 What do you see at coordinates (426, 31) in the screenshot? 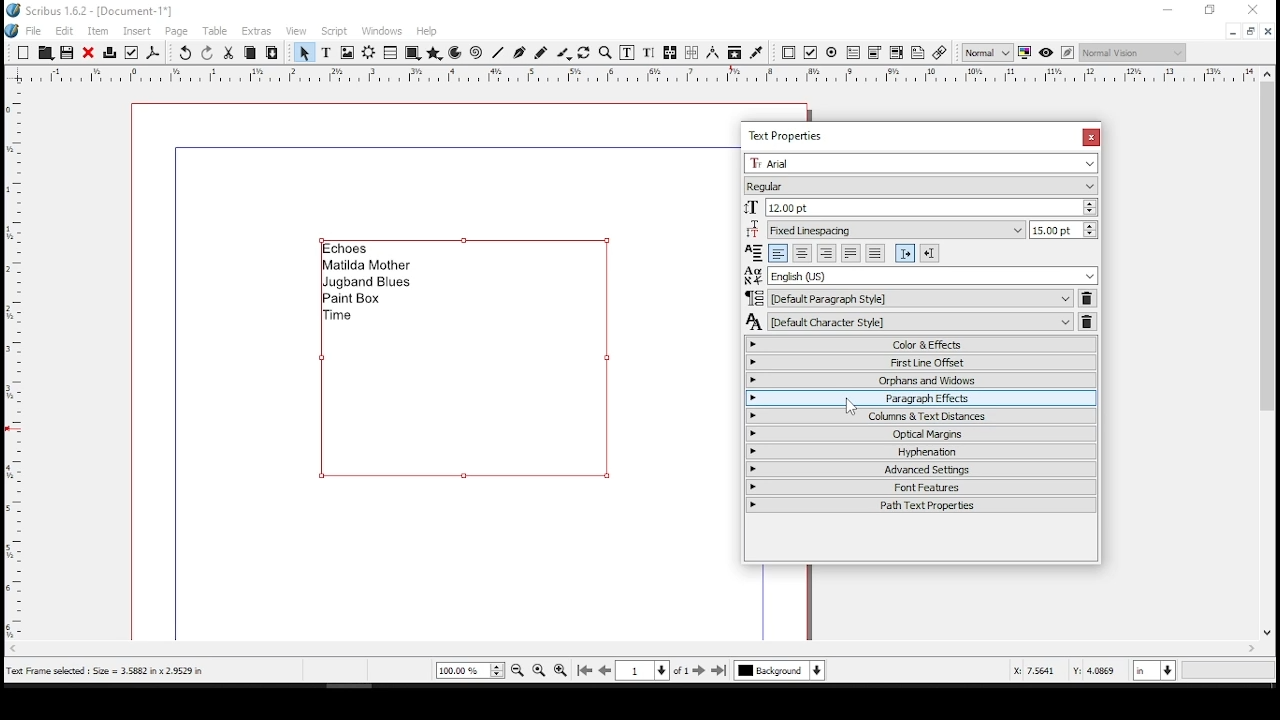
I see `help` at bounding box center [426, 31].